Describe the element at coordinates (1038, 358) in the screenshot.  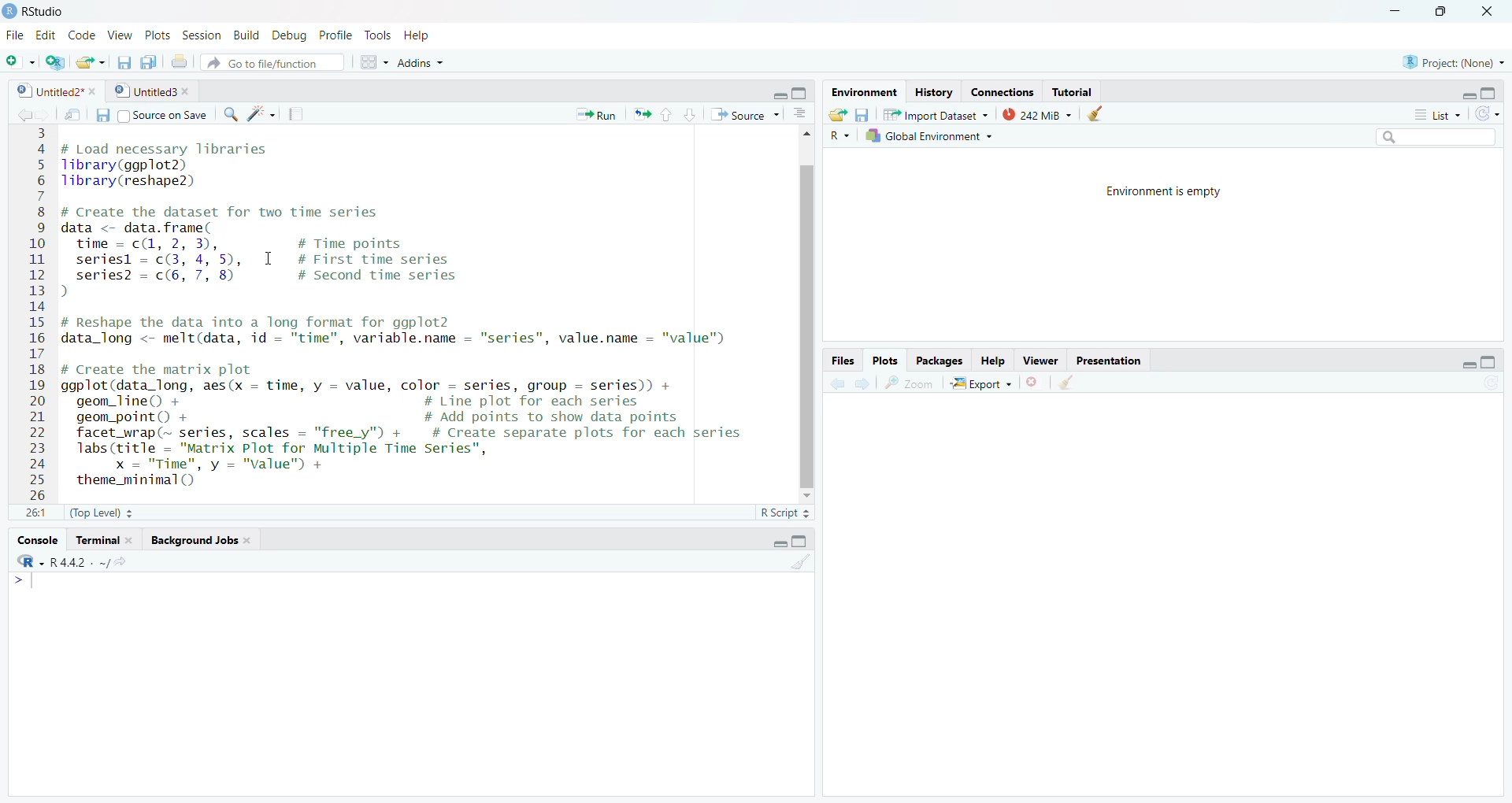
I see `Viewer` at that location.